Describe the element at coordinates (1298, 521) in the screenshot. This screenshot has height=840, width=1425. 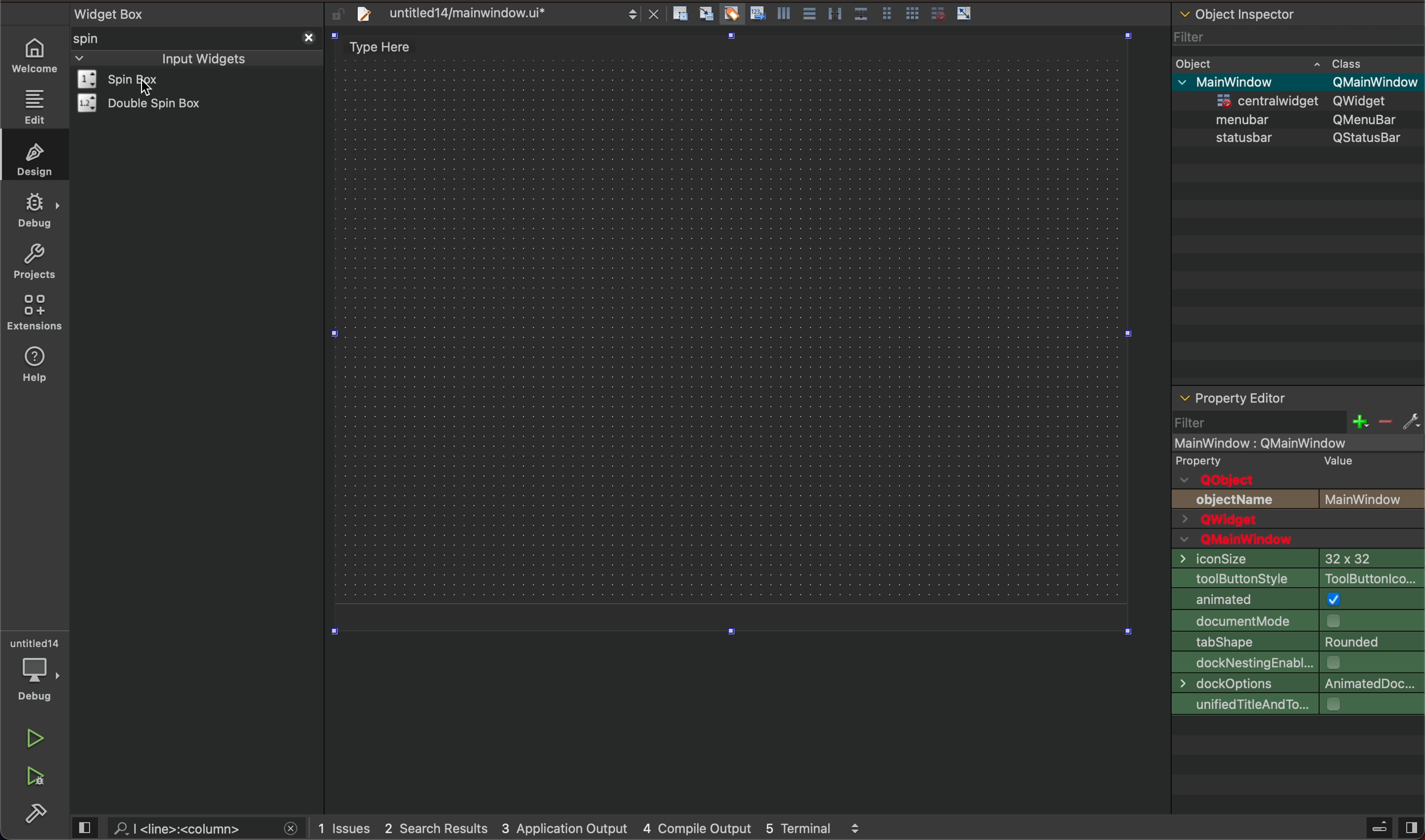
I see `qwidget` at that location.